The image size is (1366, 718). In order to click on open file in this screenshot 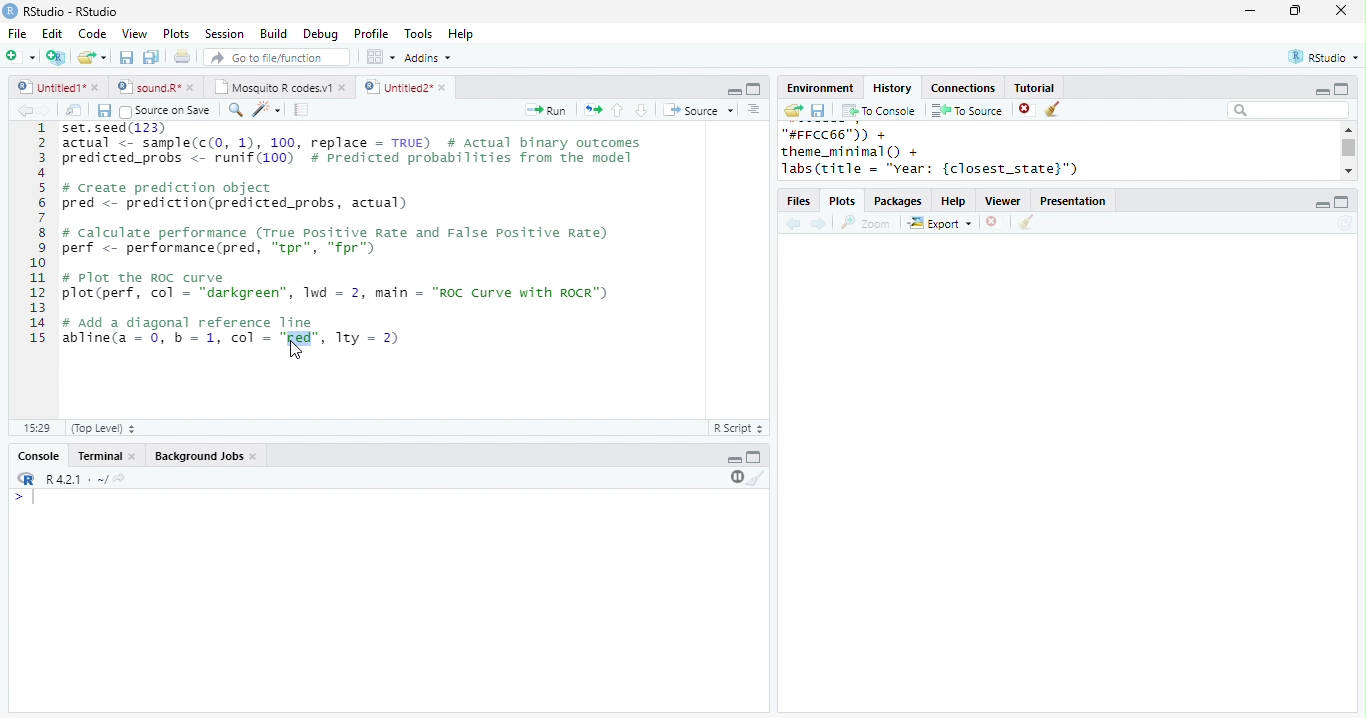, I will do `click(92, 57)`.